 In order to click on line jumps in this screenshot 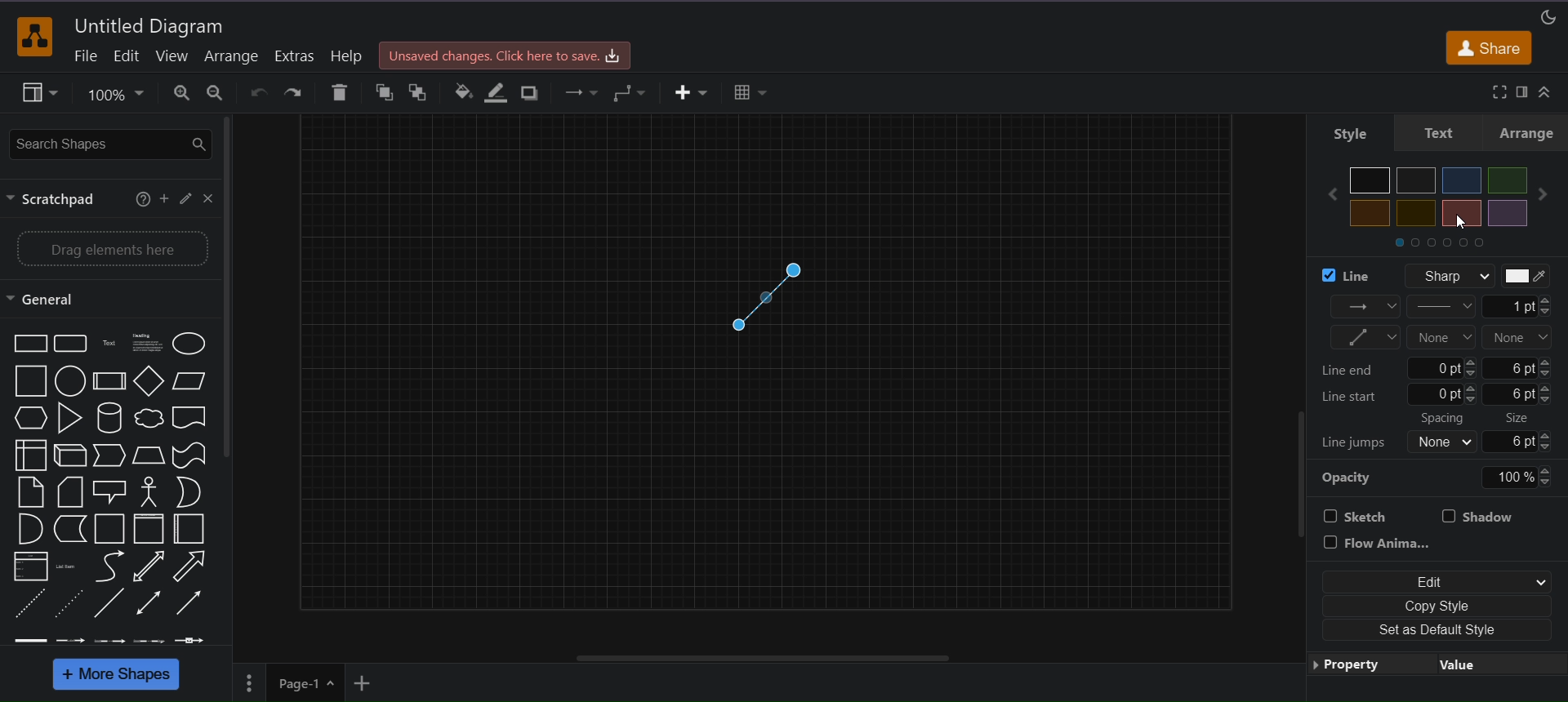, I will do `click(1359, 441)`.